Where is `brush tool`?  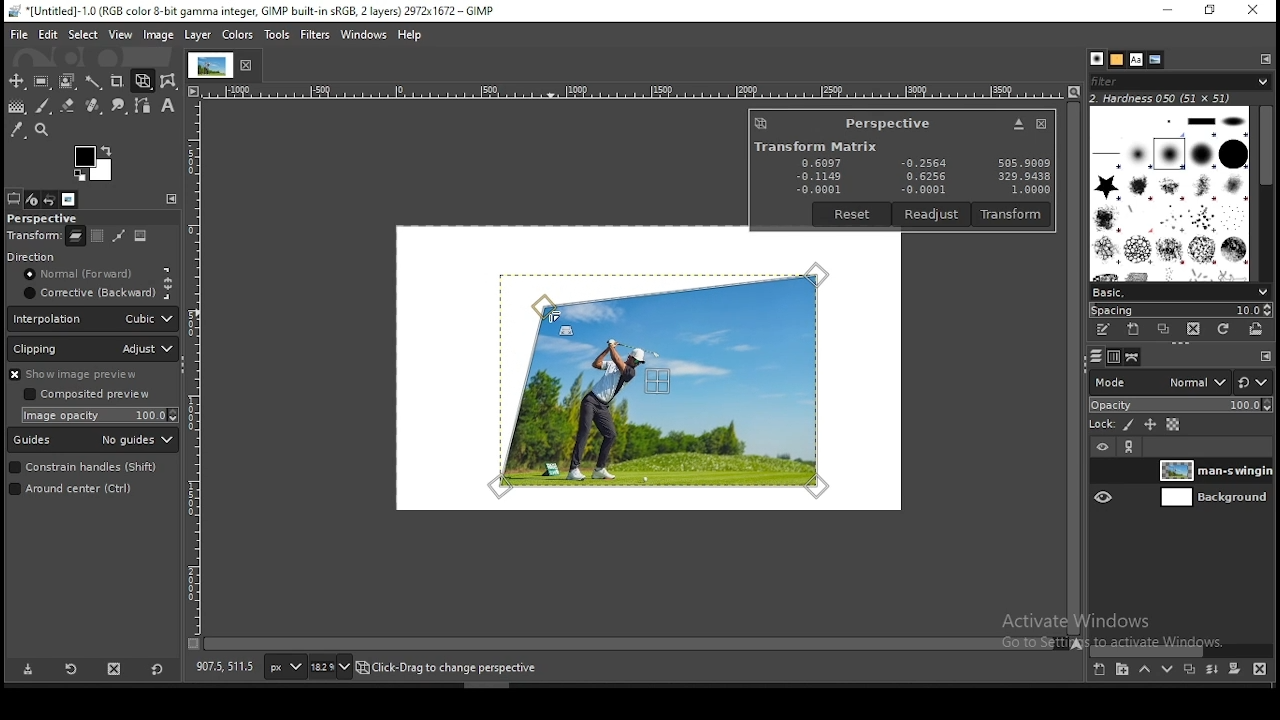 brush tool is located at coordinates (44, 105).